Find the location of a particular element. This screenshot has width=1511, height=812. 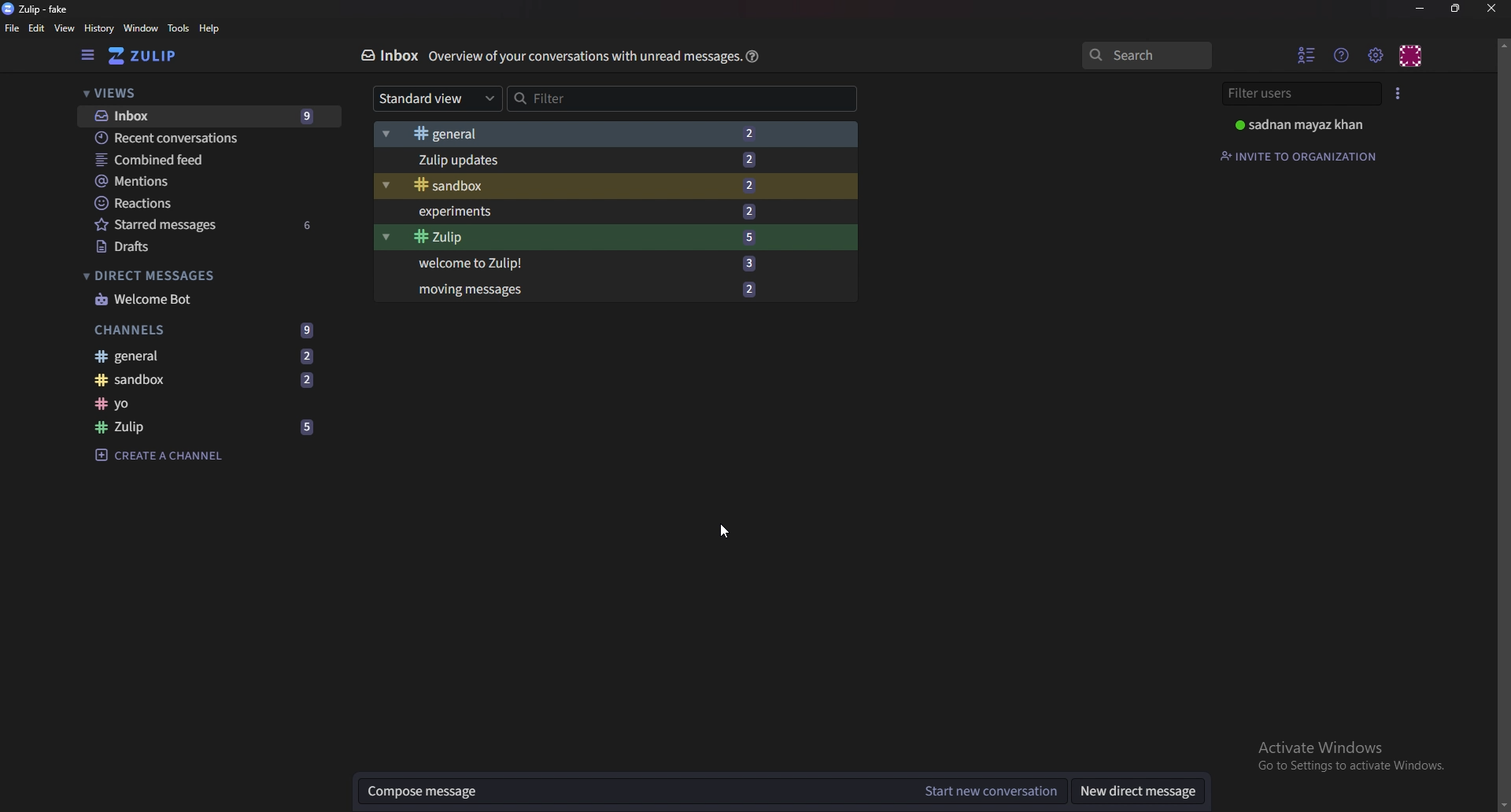

Welcome bot is located at coordinates (200, 299).